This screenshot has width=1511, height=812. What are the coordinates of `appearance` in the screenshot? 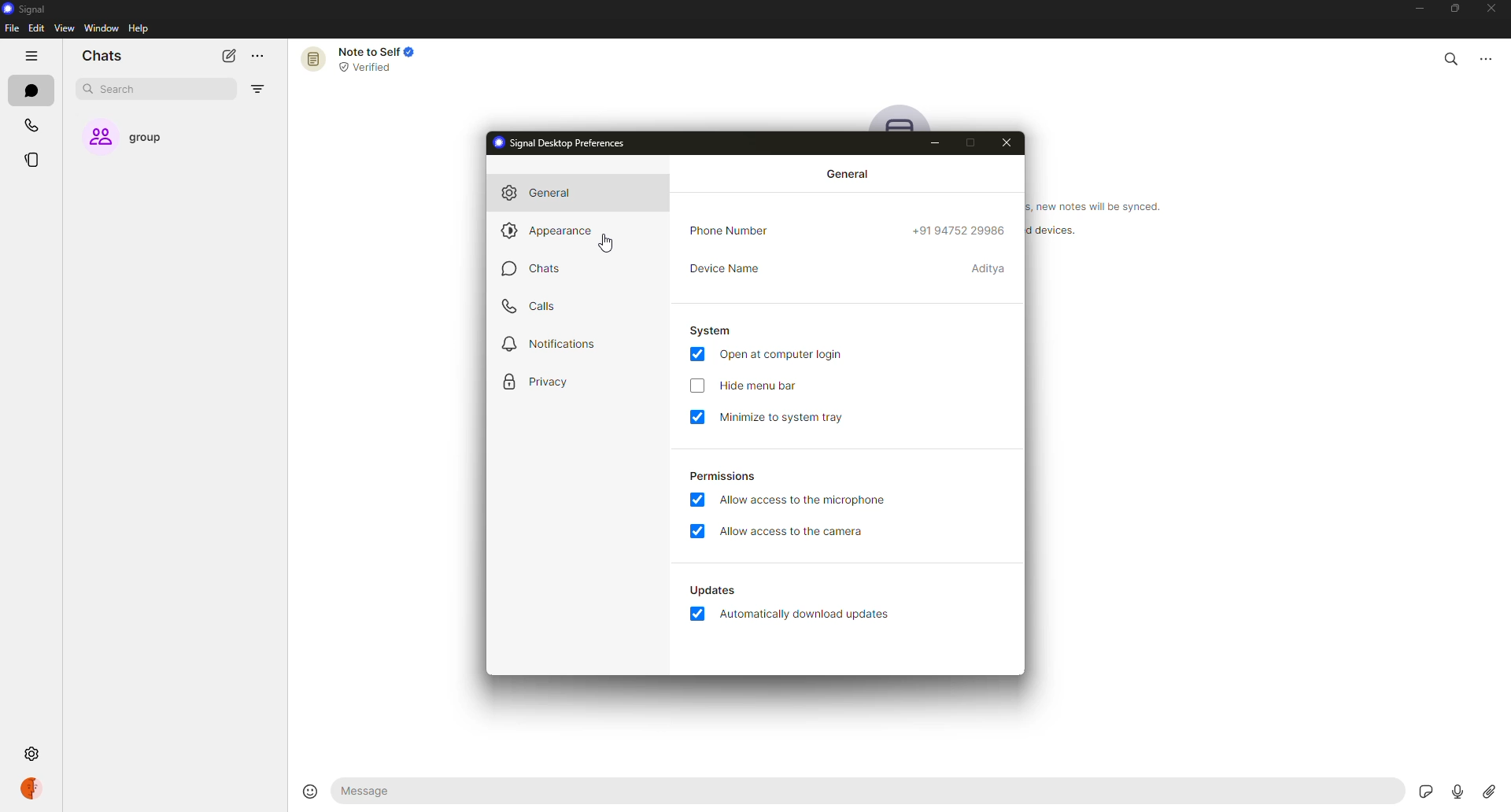 It's located at (549, 231).